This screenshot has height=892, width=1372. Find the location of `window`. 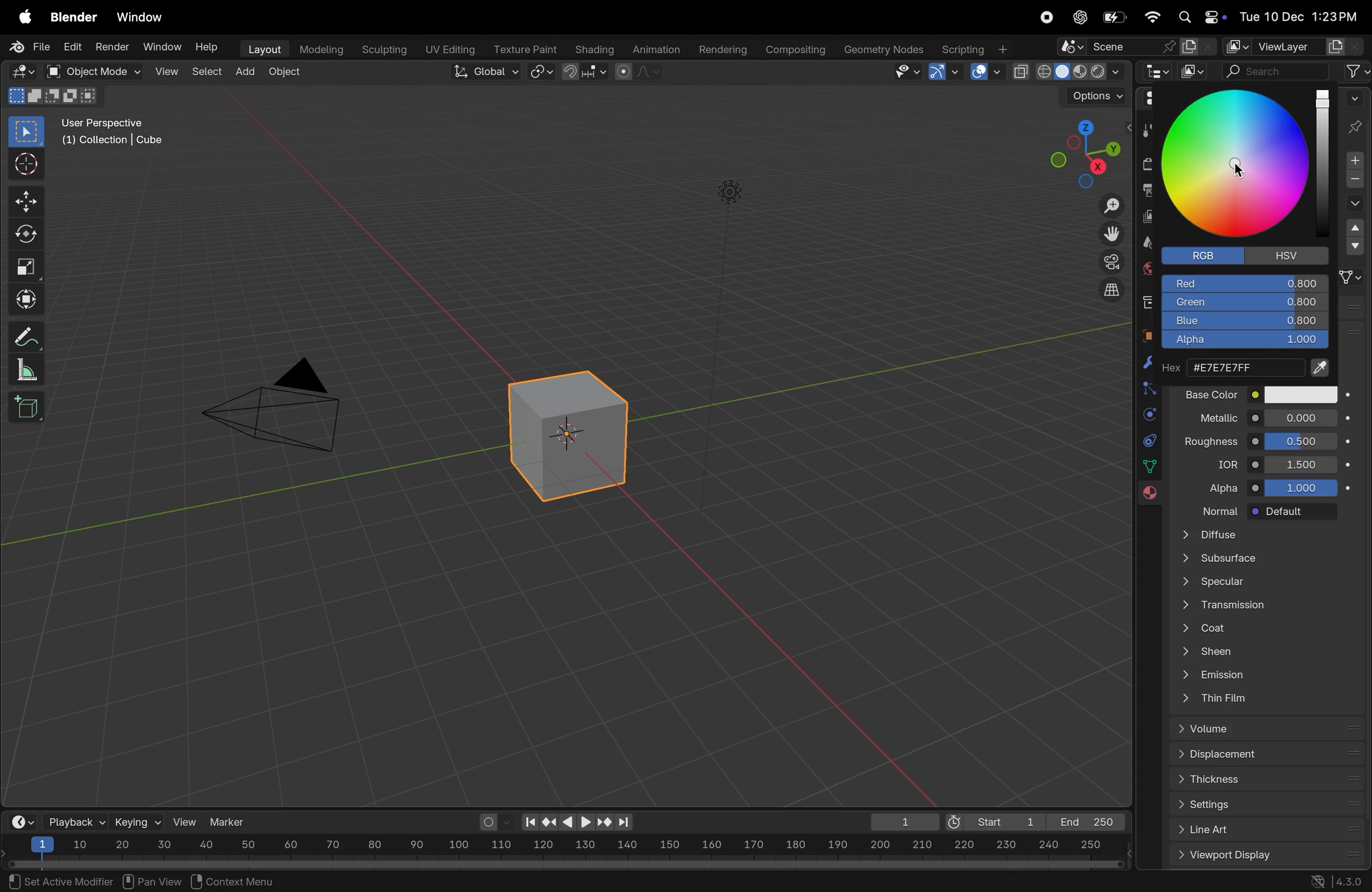

window is located at coordinates (144, 18).